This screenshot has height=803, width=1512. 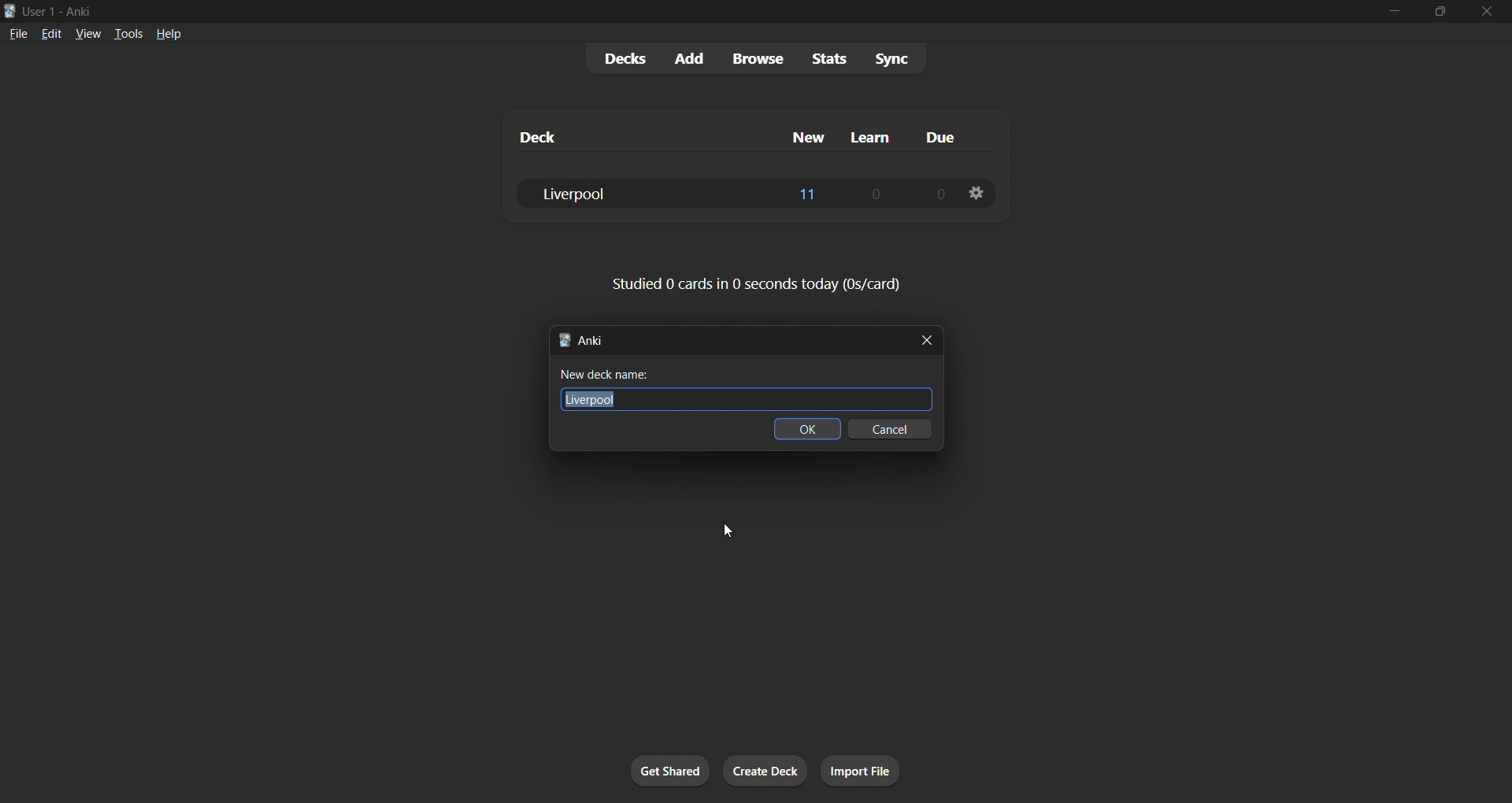 What do you see at coordinates (762, 284) in the screenshot?
I see `card stats` at bounding box center [762, 284].